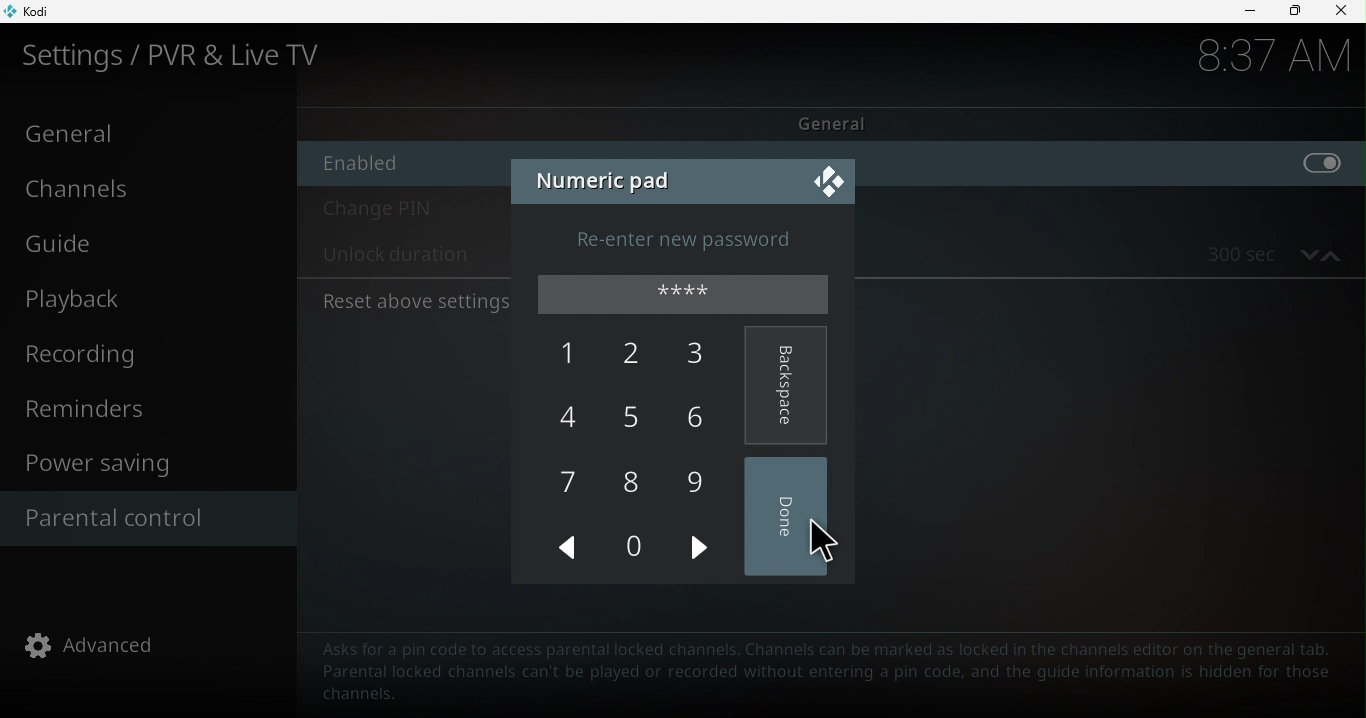 Image resolution: width=1366 pixels, height=718 pixels. Describe the element at coordinates (574, 421) in the screenshot. I see `4` at that location.